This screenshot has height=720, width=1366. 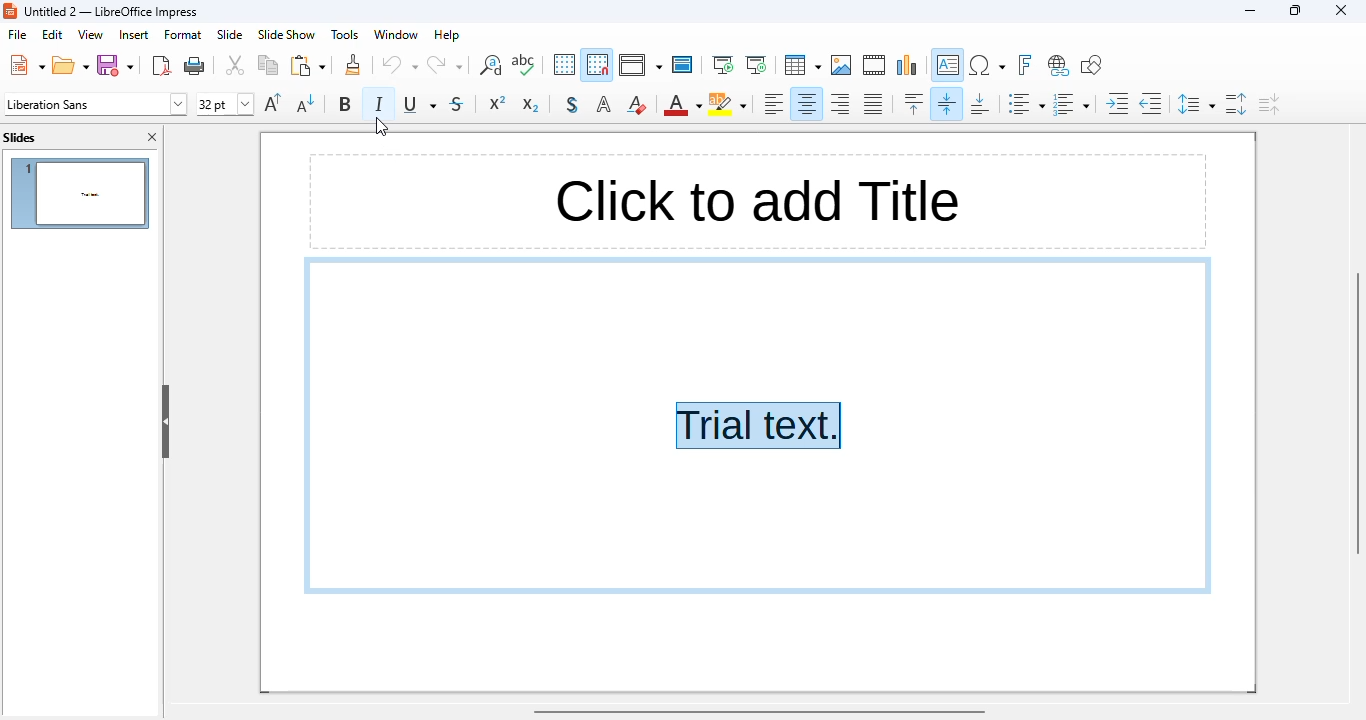 What do you see at coordinates (231, 34) in the screenshot?
I see `slide` at bounding box center [231, 34].